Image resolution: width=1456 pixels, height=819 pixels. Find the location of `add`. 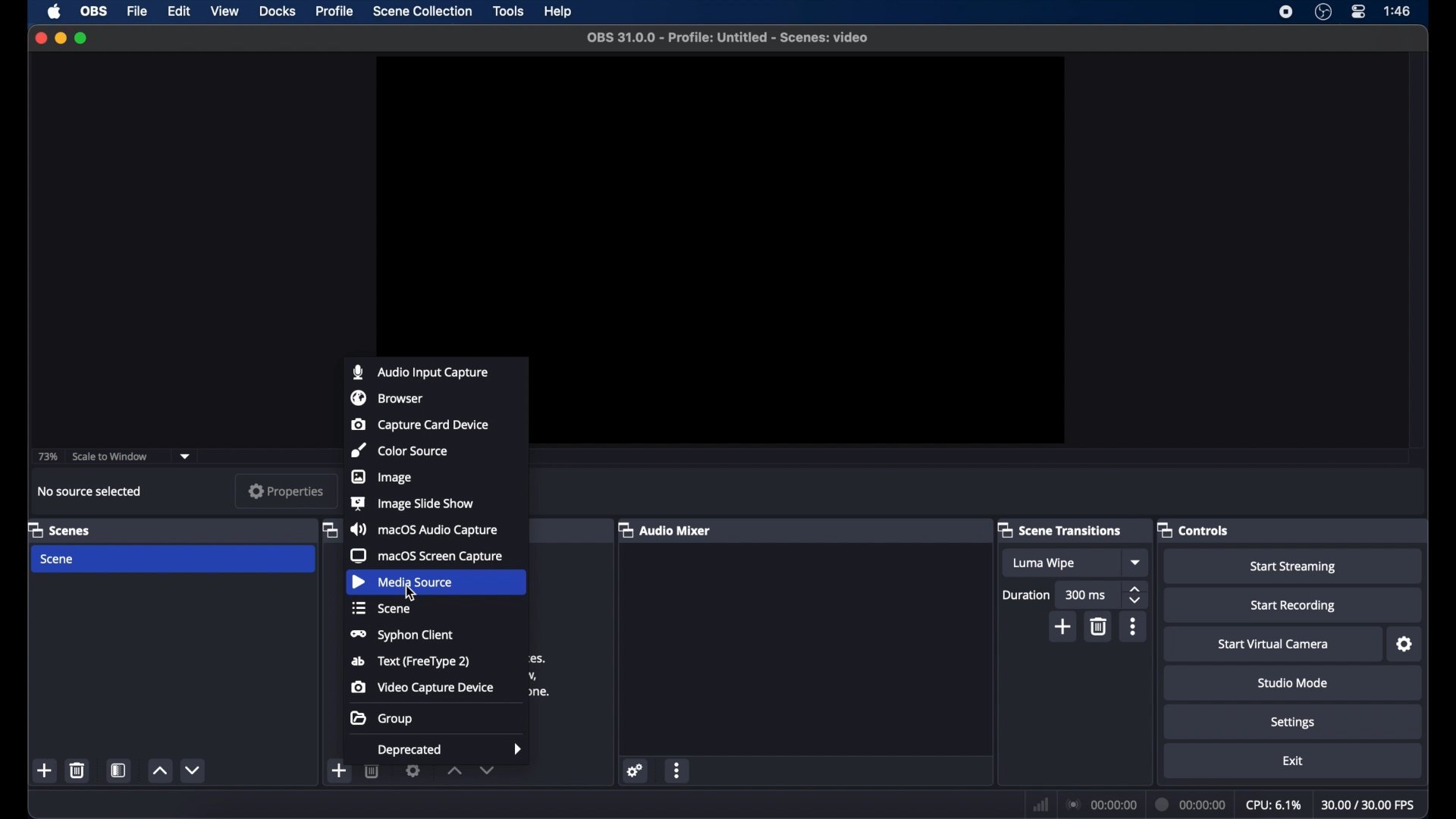

add is located at coordinates (1063, 626).